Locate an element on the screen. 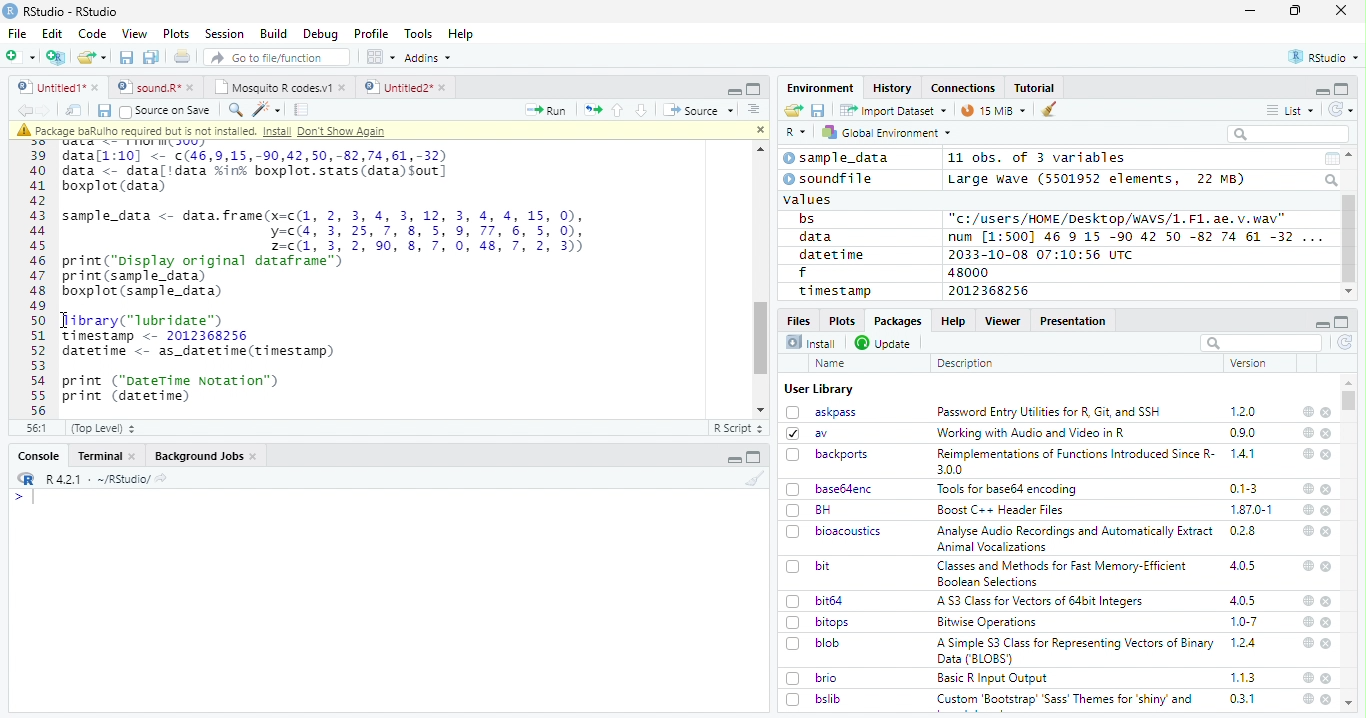 The image size is (1366, 718). close is located at coordinates (757, 128).